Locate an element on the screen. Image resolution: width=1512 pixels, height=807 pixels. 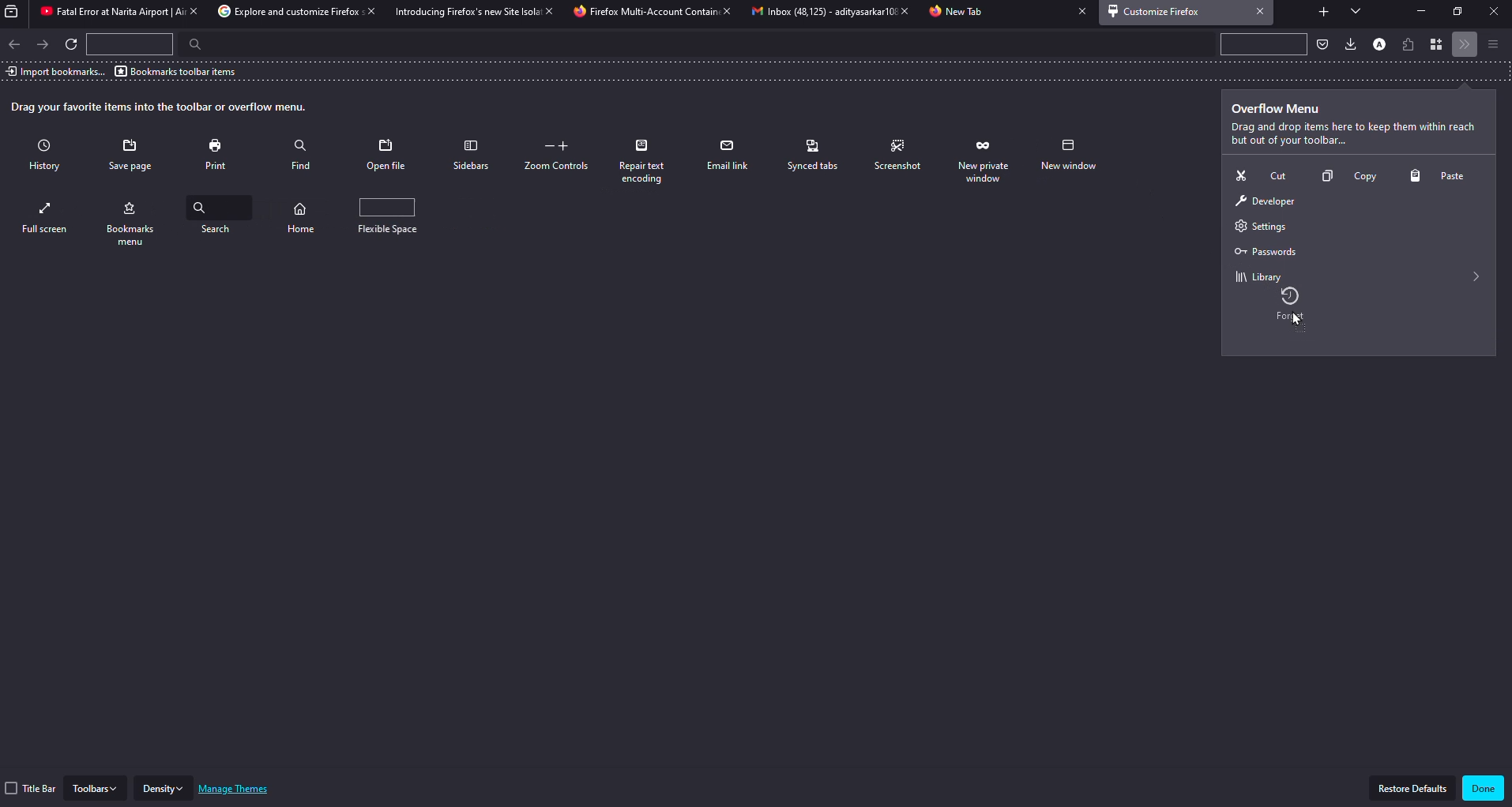
passwords is located at coordinates (1263, 252).